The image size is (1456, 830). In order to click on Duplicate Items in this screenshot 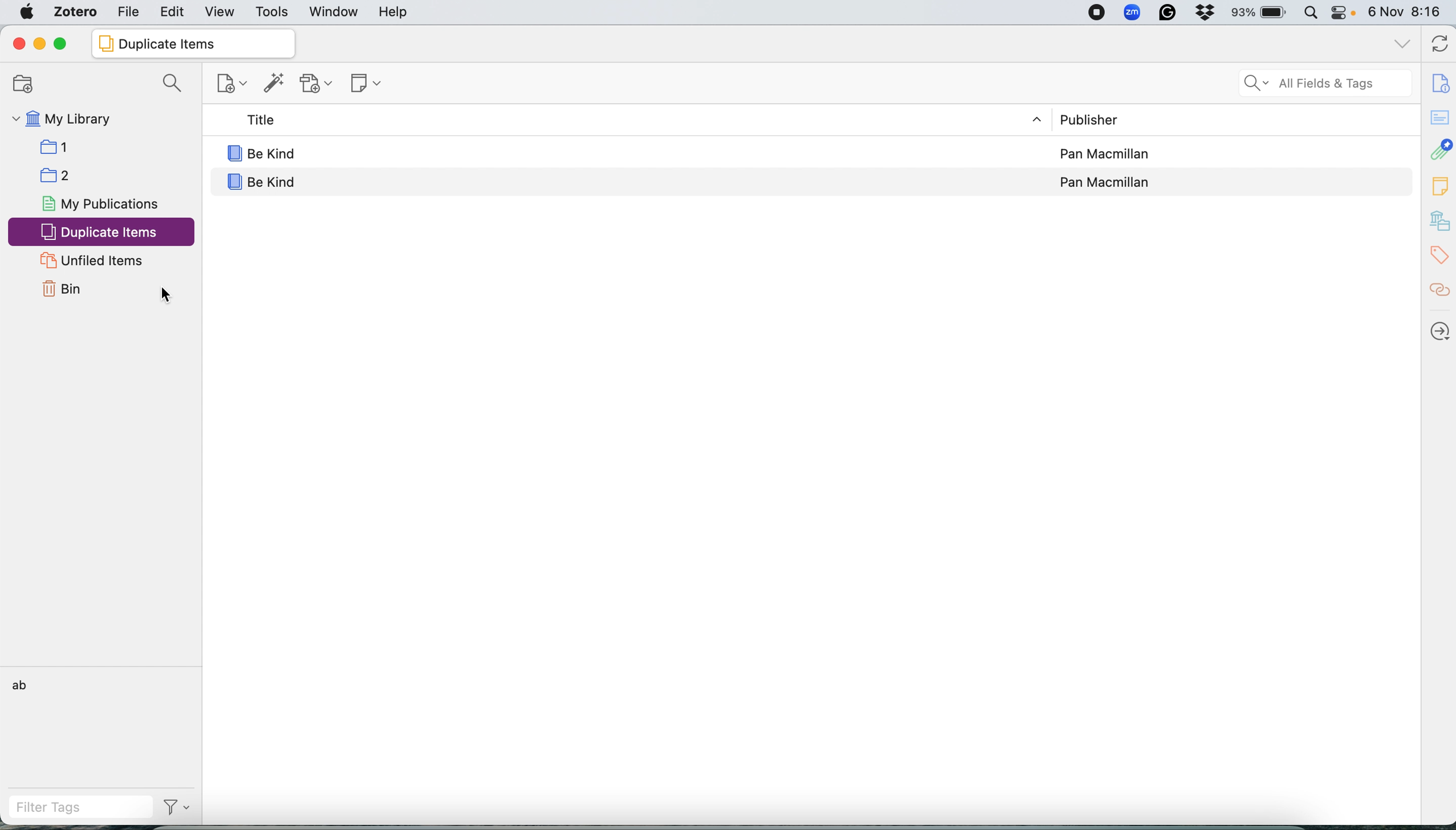, I will do `click(193, 43)`.